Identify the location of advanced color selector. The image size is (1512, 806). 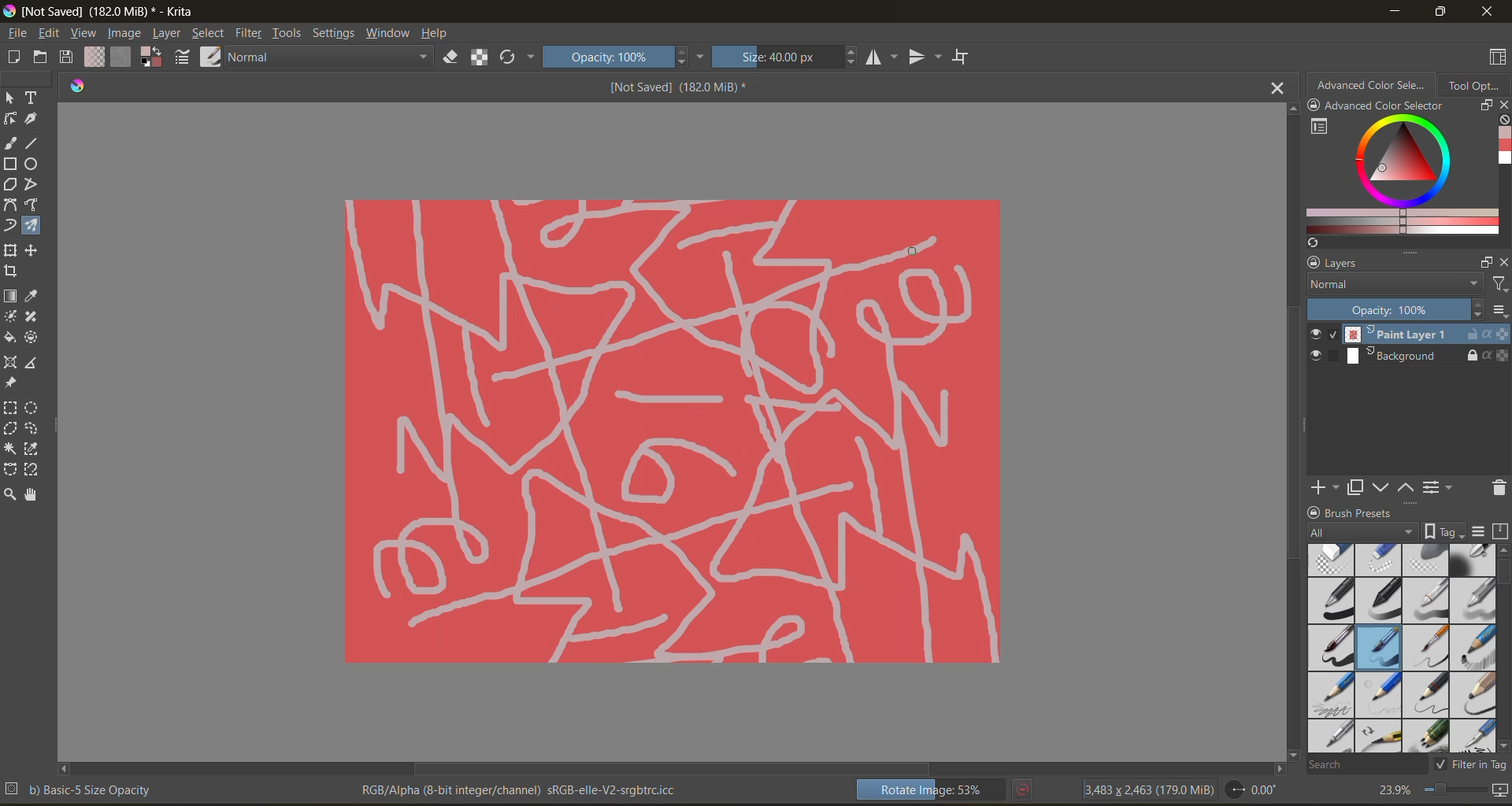
(1376, 96).